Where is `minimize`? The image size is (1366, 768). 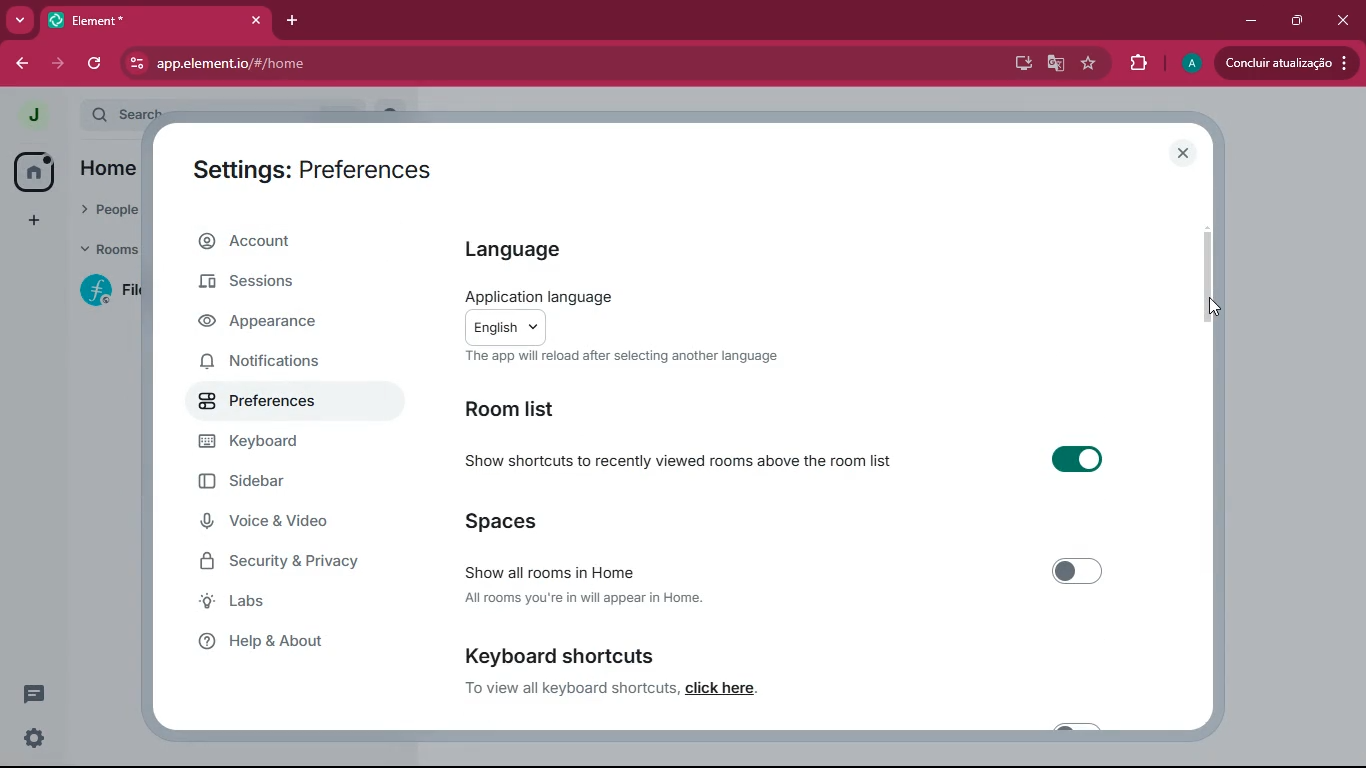 minimize is located at coordinates (1252, 21).